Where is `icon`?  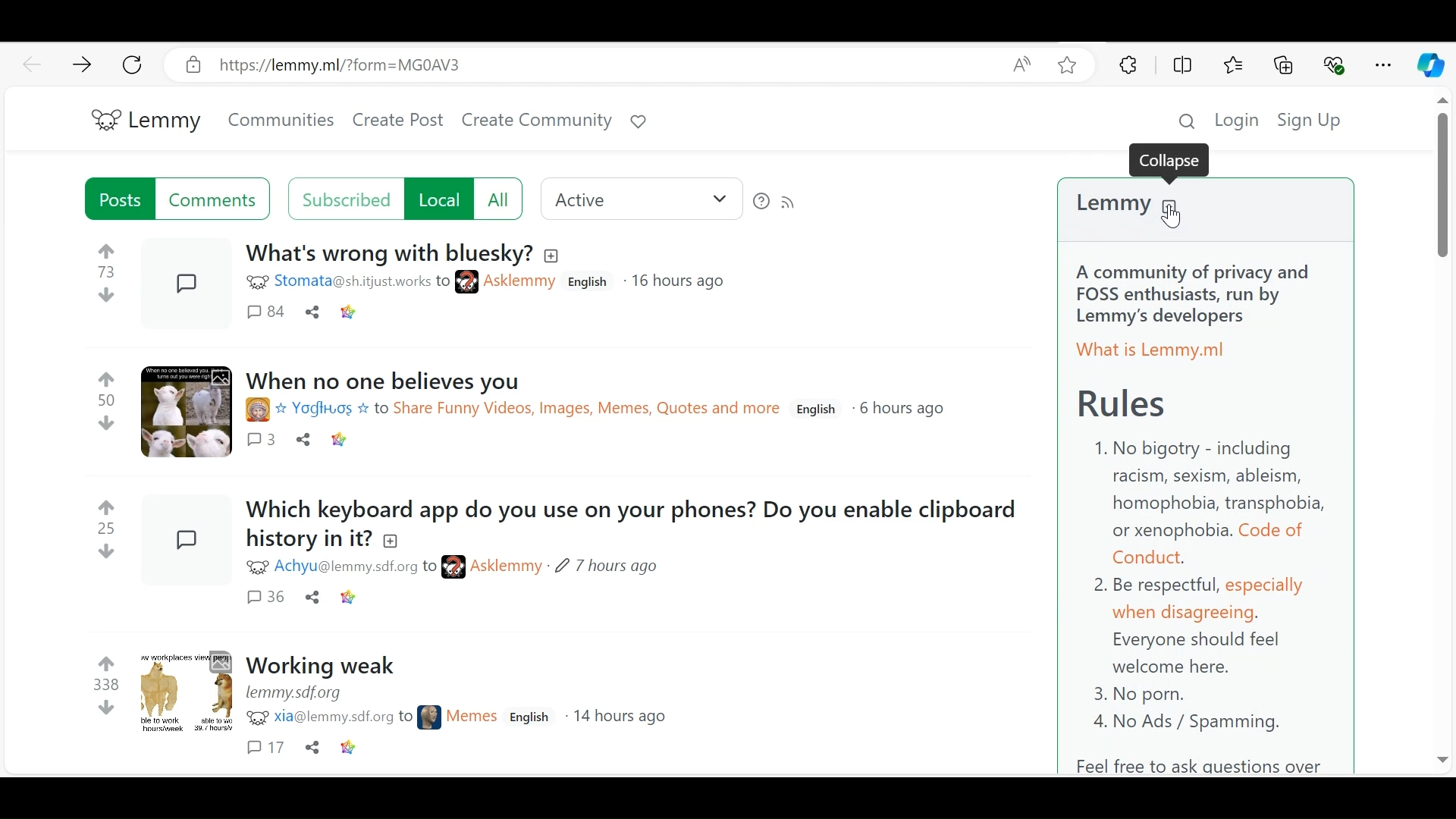 icon is located at coordinates (252, 567).